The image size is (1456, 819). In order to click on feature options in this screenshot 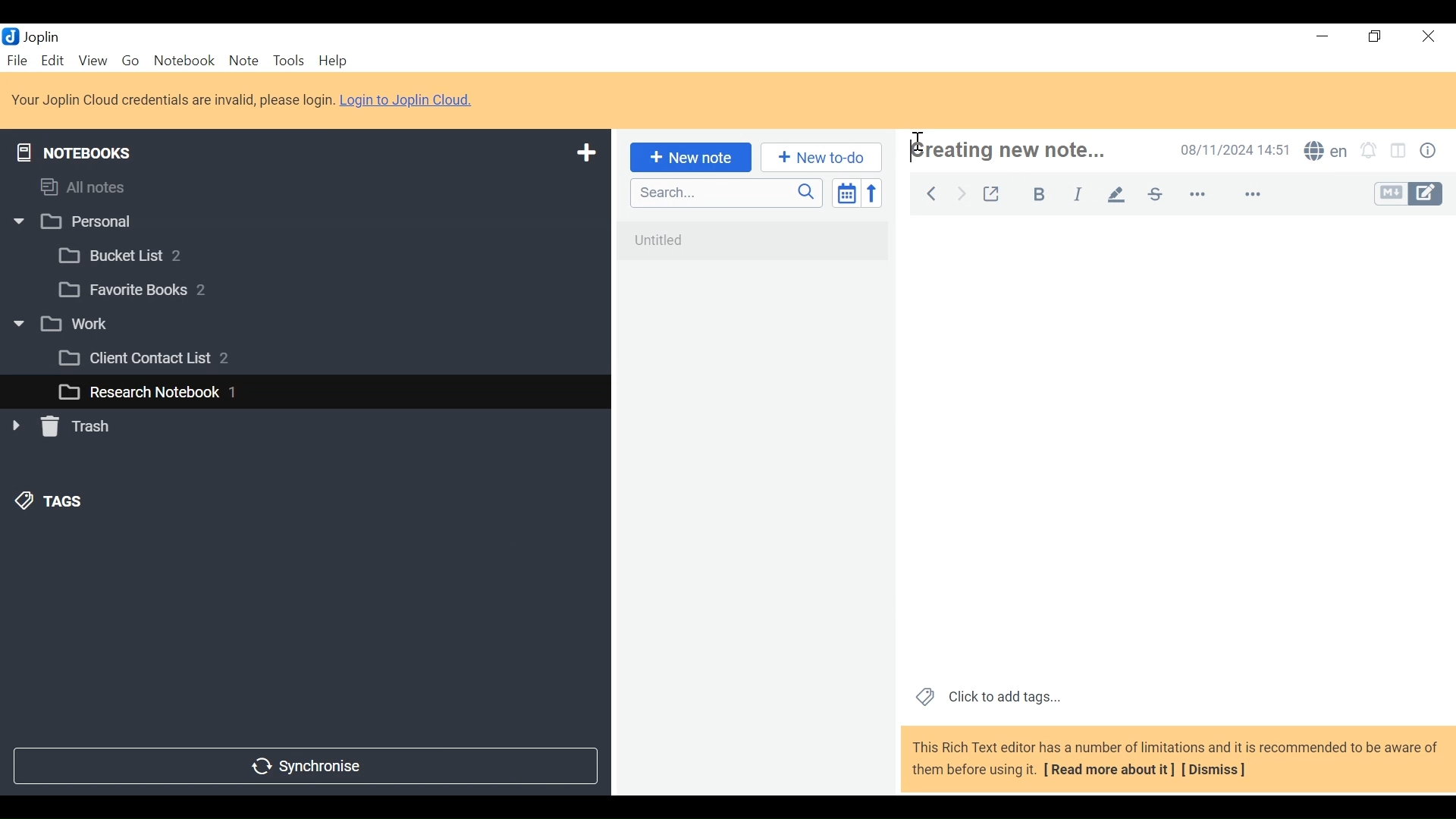, I will do `click(1260, 196)`.